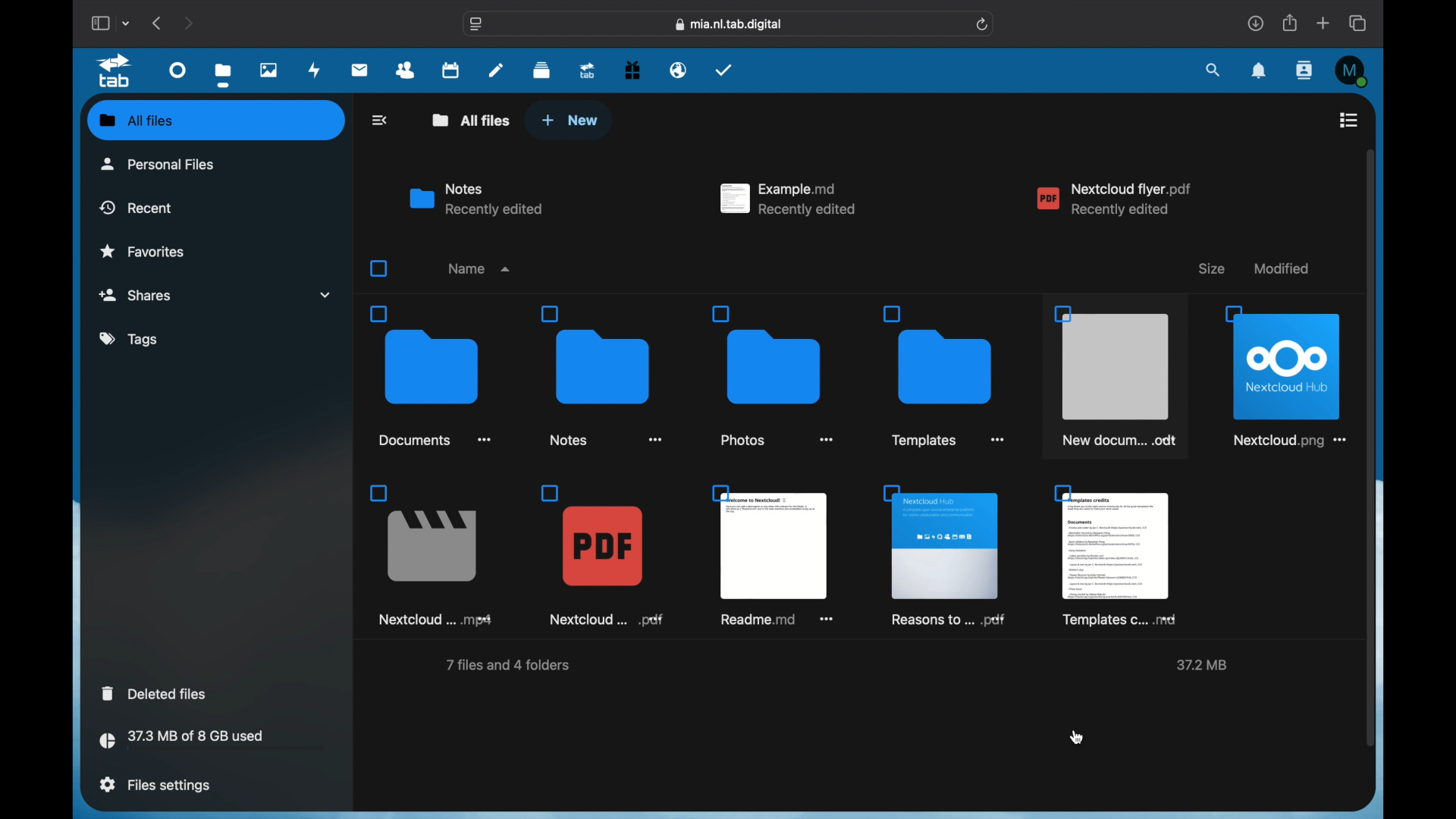 The image size is (1456, 819). What do you see at coordinates (789, 199) in the screenshot?
I see `example` at bounding box center [789, 199].